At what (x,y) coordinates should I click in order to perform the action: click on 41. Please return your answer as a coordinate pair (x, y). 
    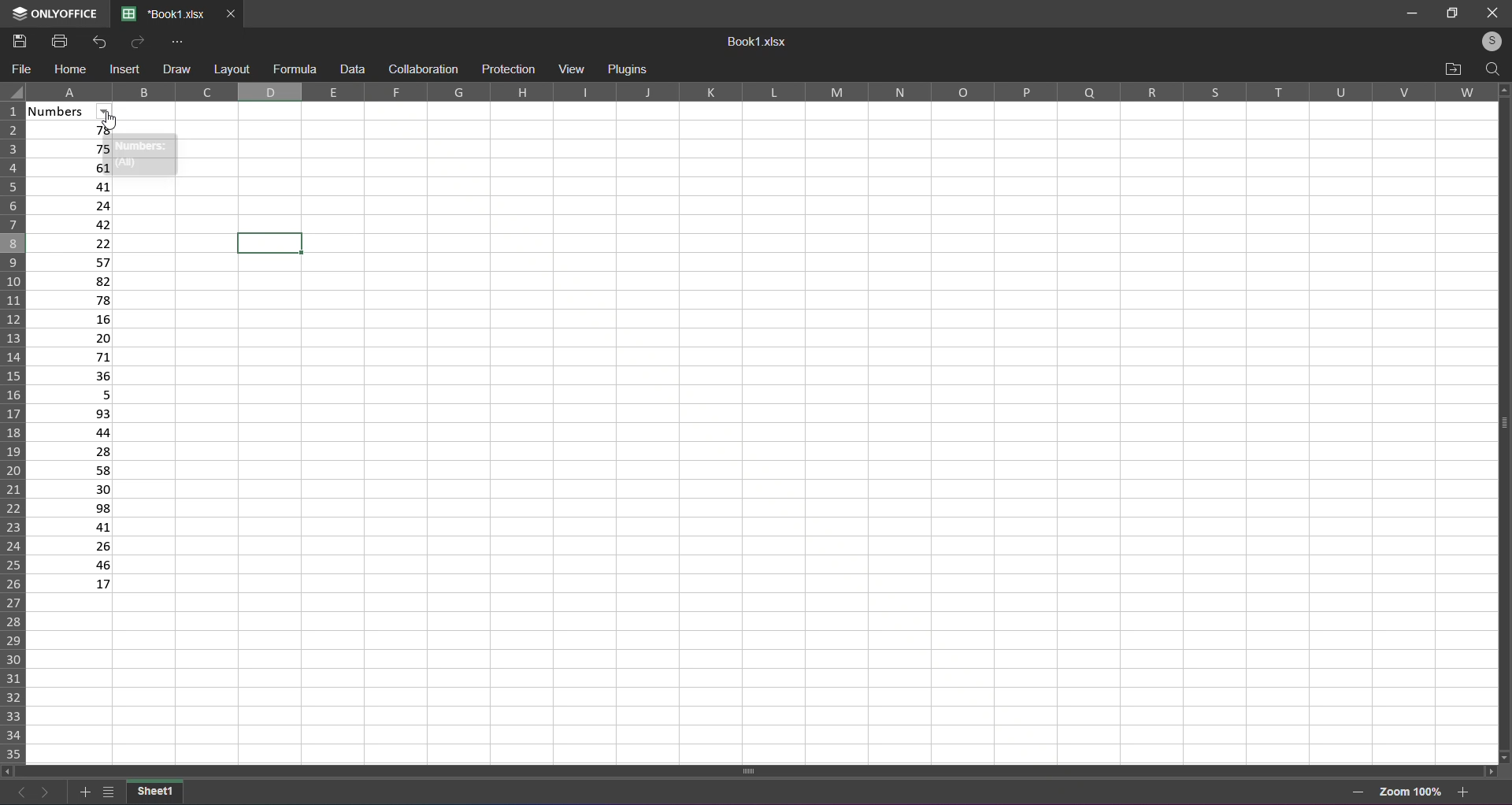
    Looking at the image, I should click on (73, 185).